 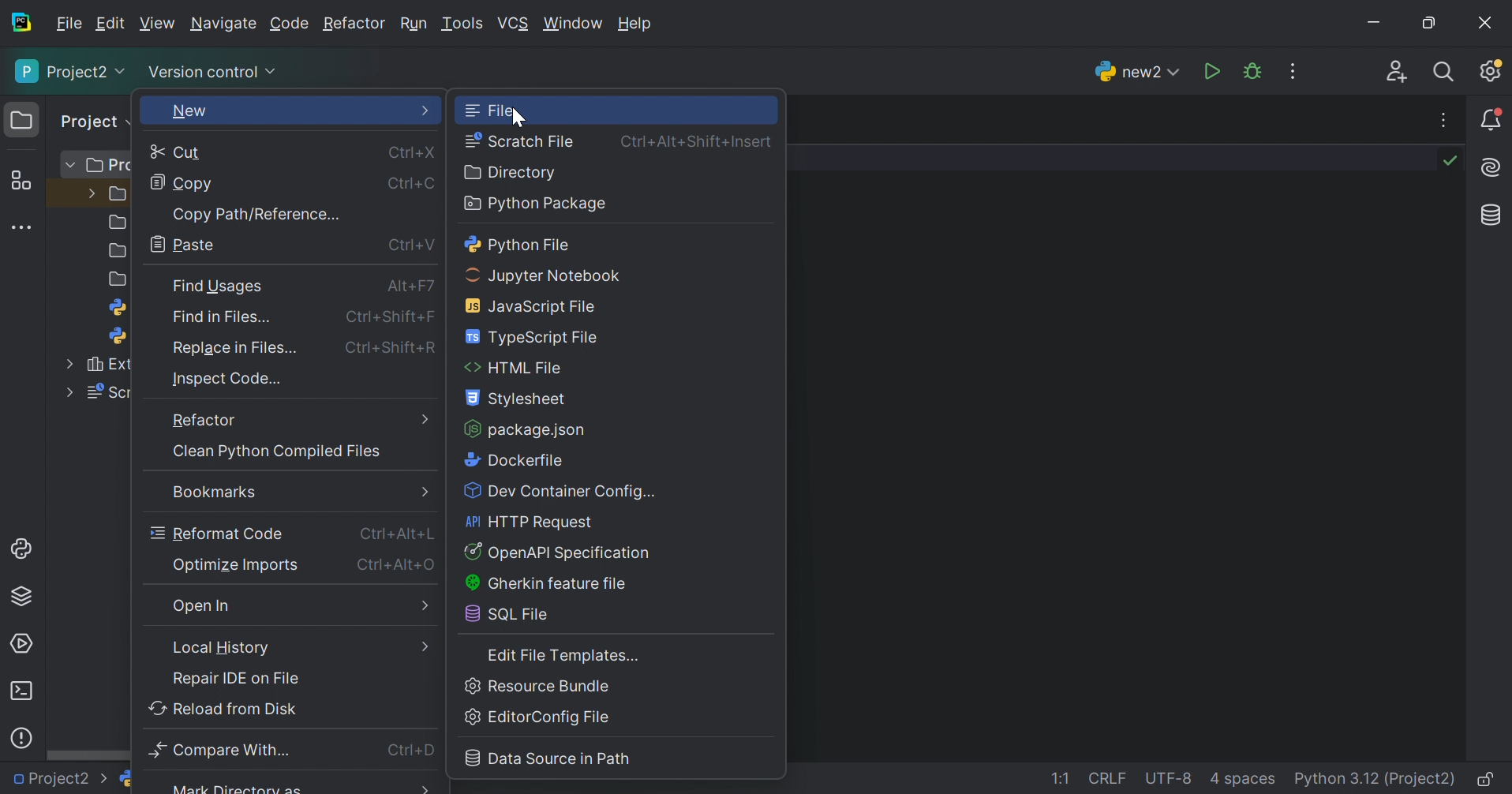 I want to click on Debug, so click(x=1252, y=71).